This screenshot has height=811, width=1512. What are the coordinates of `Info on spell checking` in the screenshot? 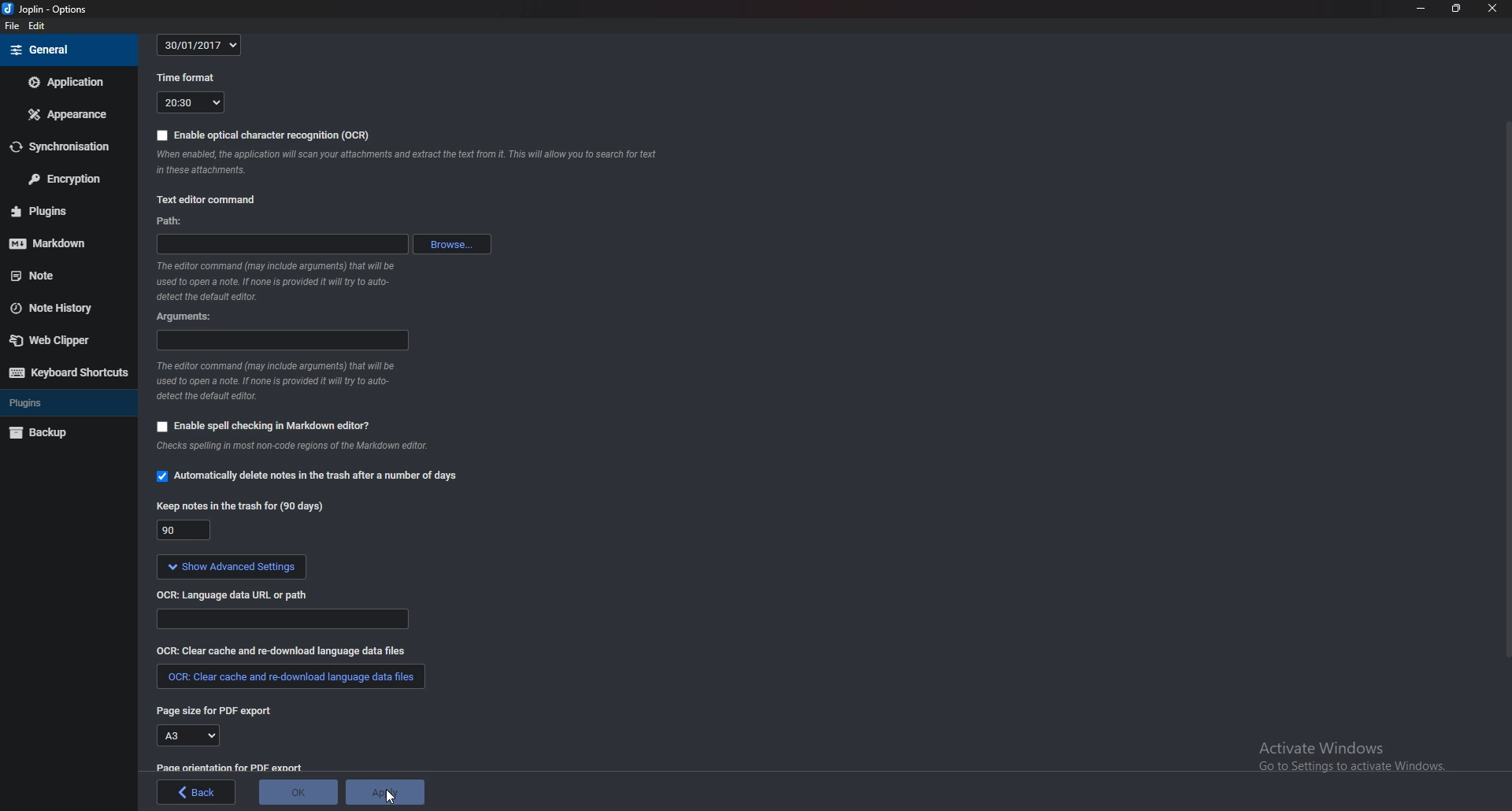 It's located at (300, 449).